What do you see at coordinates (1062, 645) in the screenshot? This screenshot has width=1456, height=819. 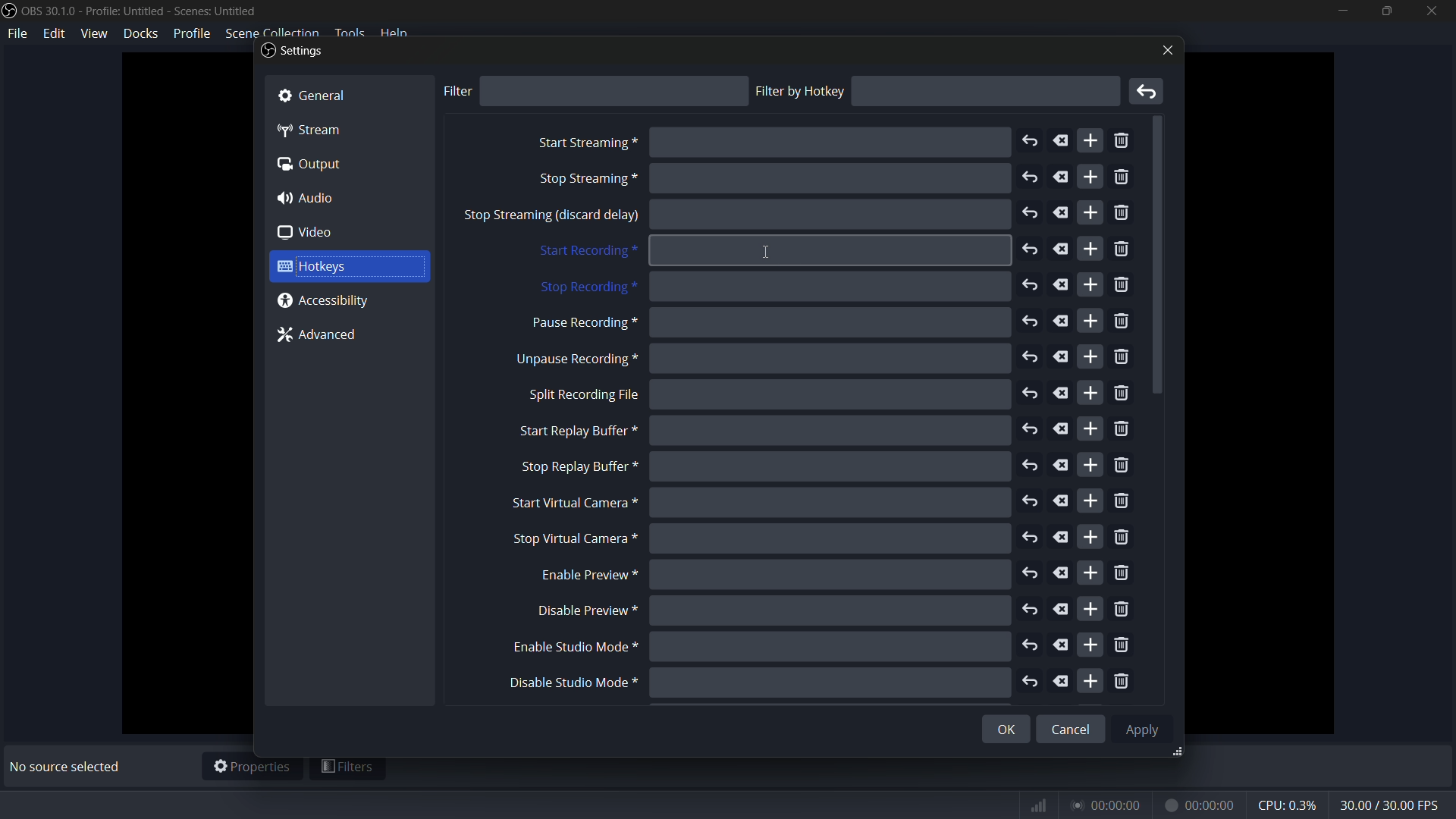 I see `delete` at bounding box center [1062, 645].